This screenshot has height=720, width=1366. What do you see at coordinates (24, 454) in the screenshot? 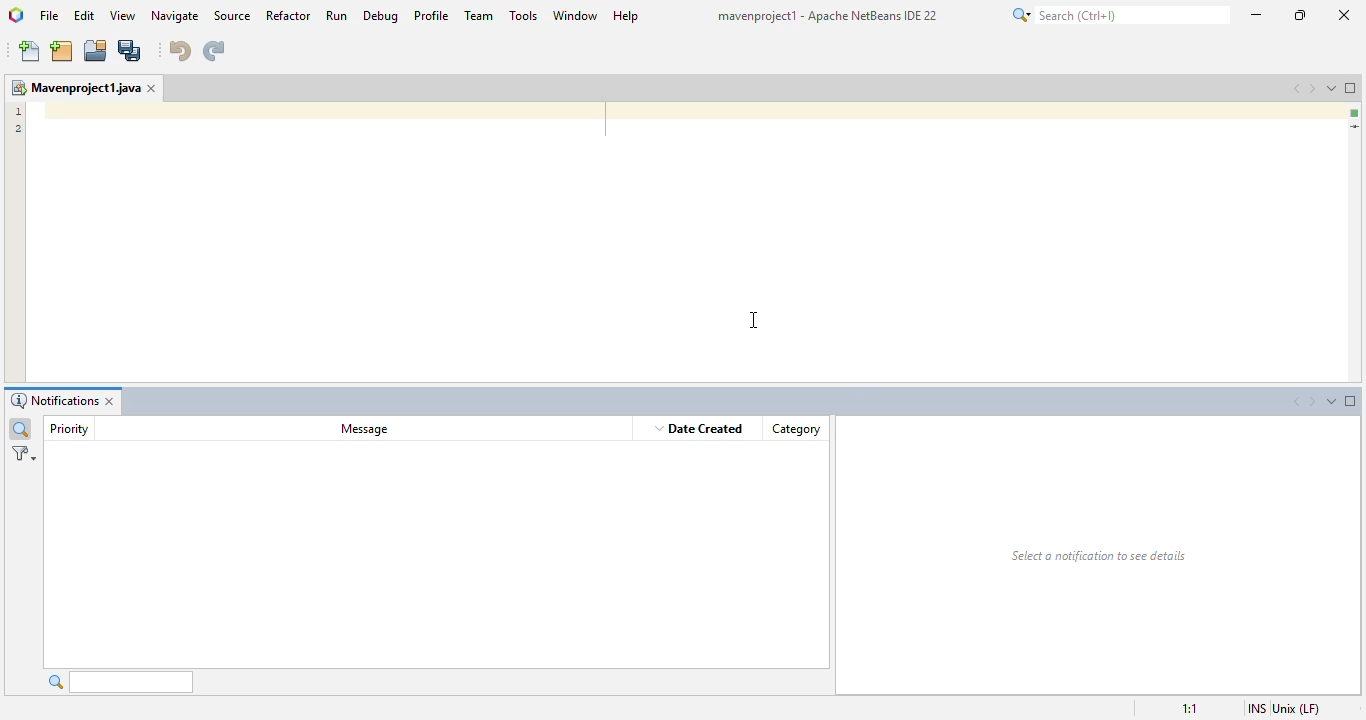
I see `click here to select a filter` at bounding box center [24, 454].